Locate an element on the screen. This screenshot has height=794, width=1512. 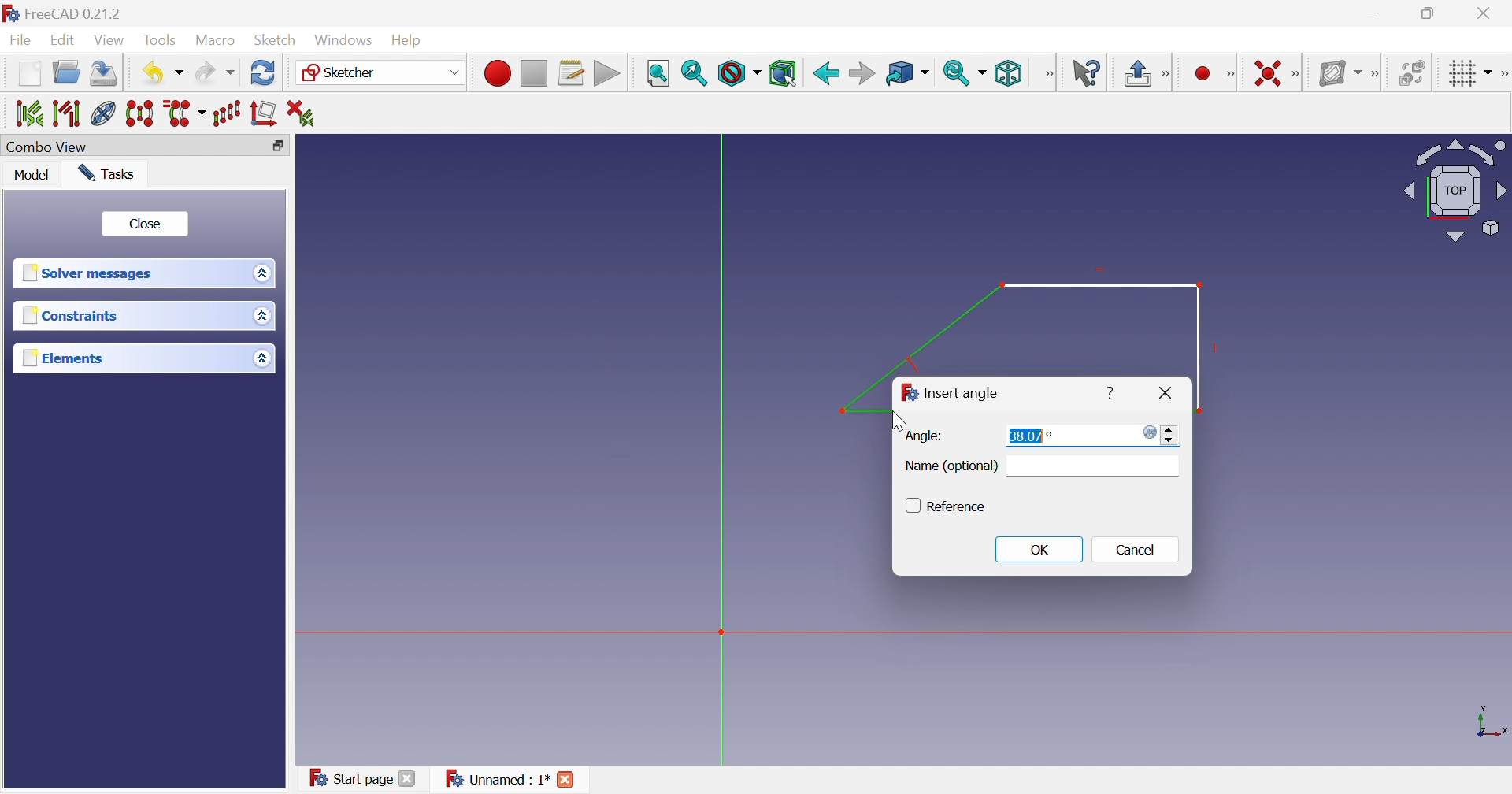
Start page is located at coordinates (345, 776).